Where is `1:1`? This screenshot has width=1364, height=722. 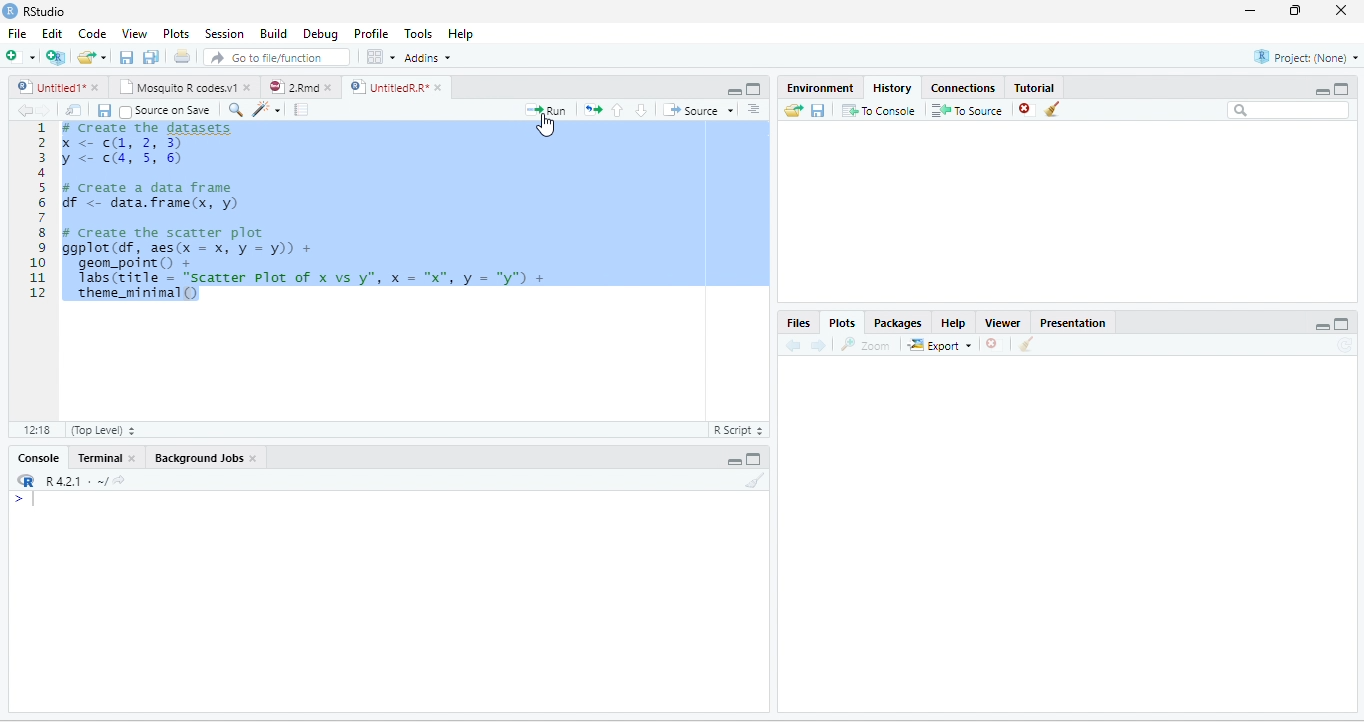 1:1 is located at coordinates (34, 429).